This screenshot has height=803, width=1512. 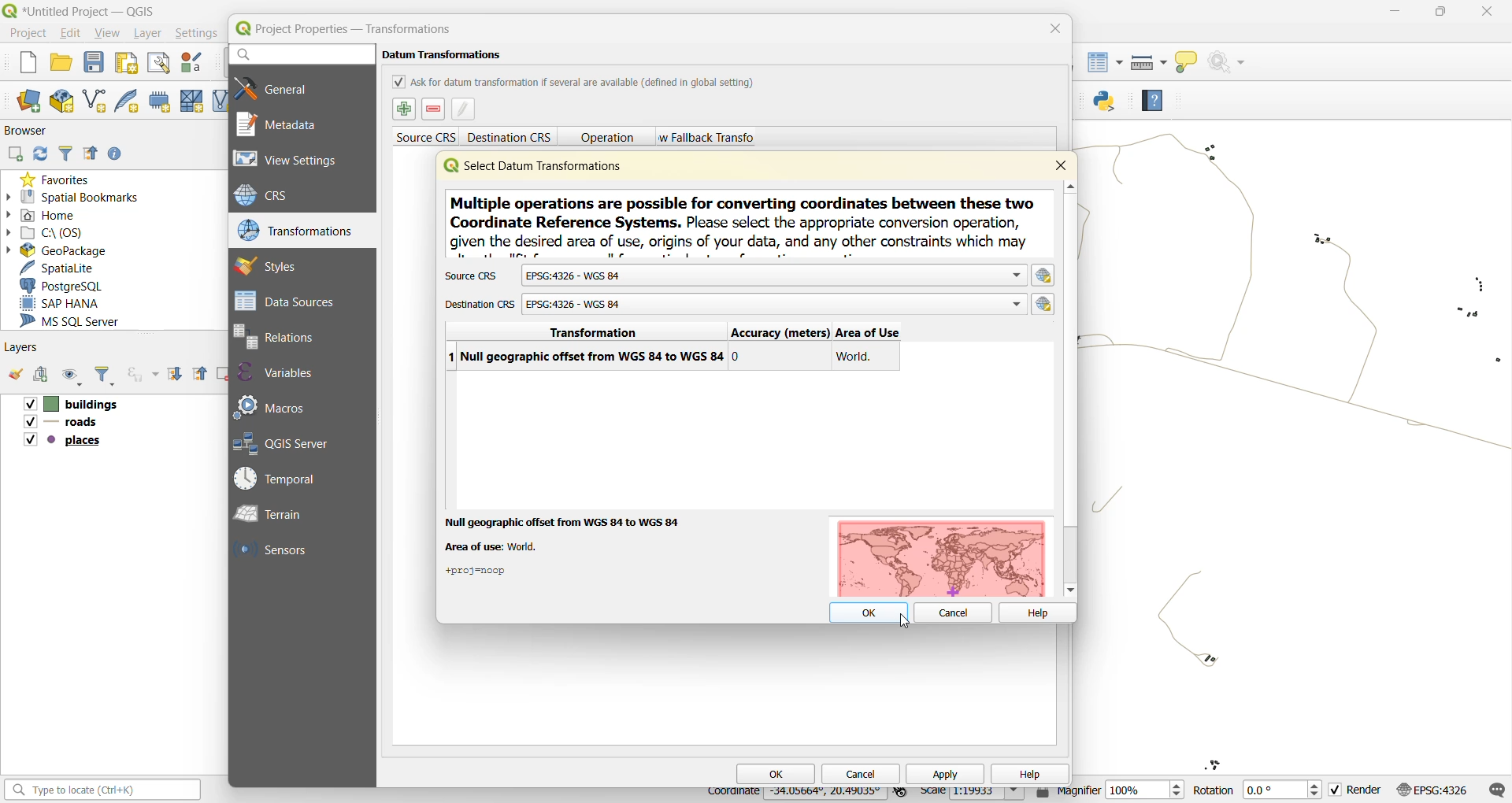 I want to click on layer, so click(x=146, y=34).